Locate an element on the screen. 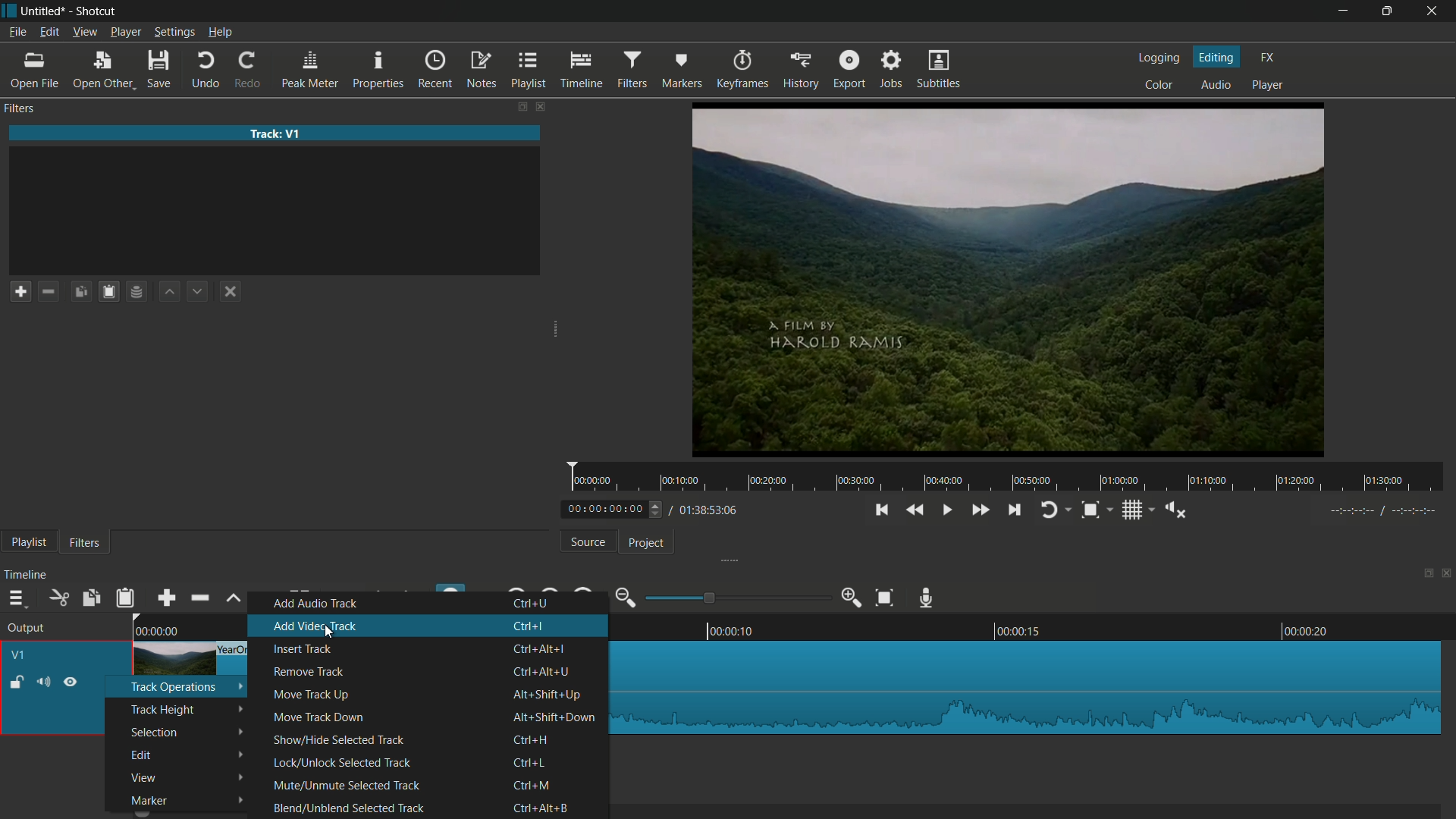  key shortcut is located at coordinates (531, 739).